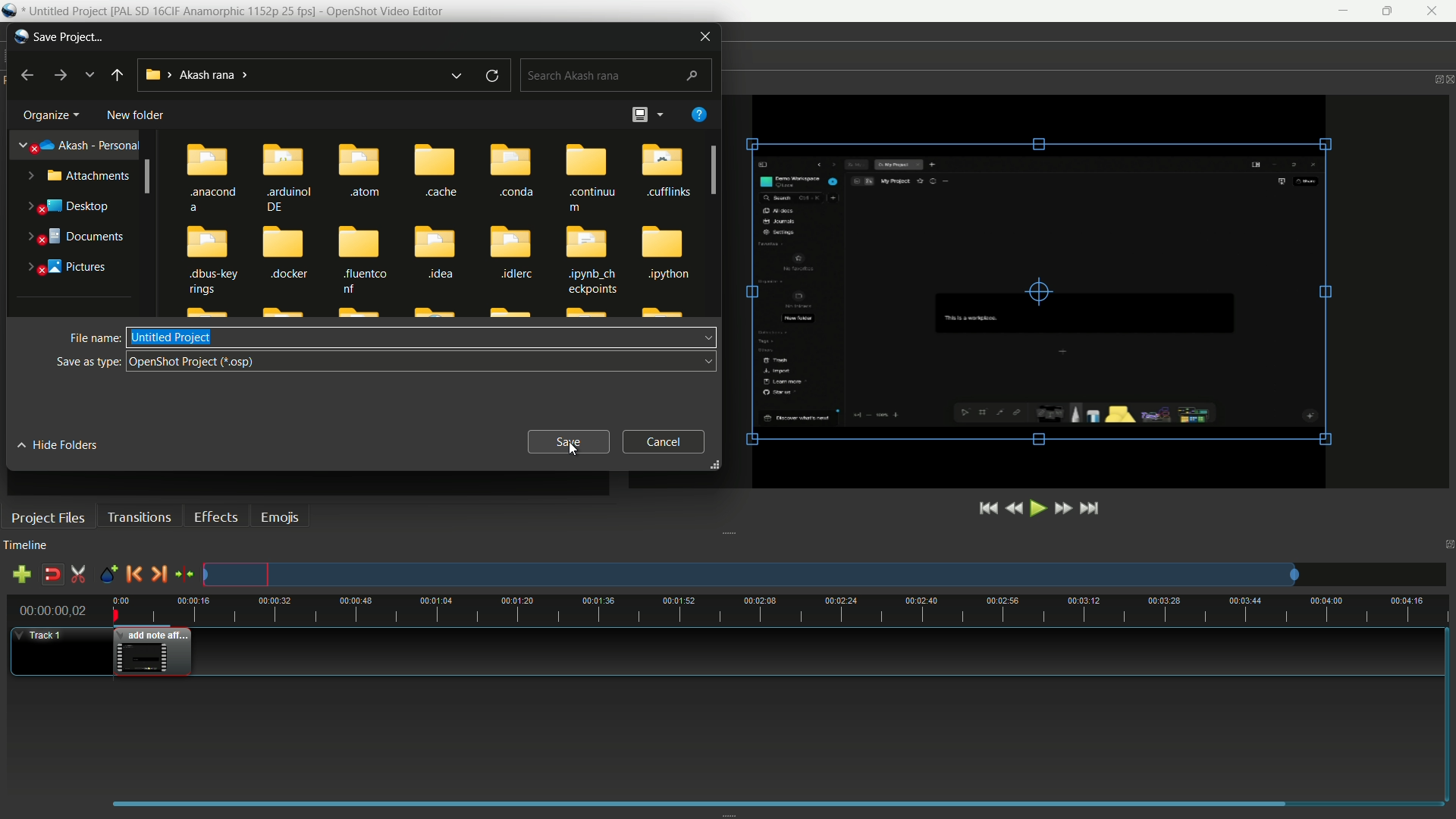  Describe the element at coordinates (750, 575) in the screenshot. I see `track preview` at that location.